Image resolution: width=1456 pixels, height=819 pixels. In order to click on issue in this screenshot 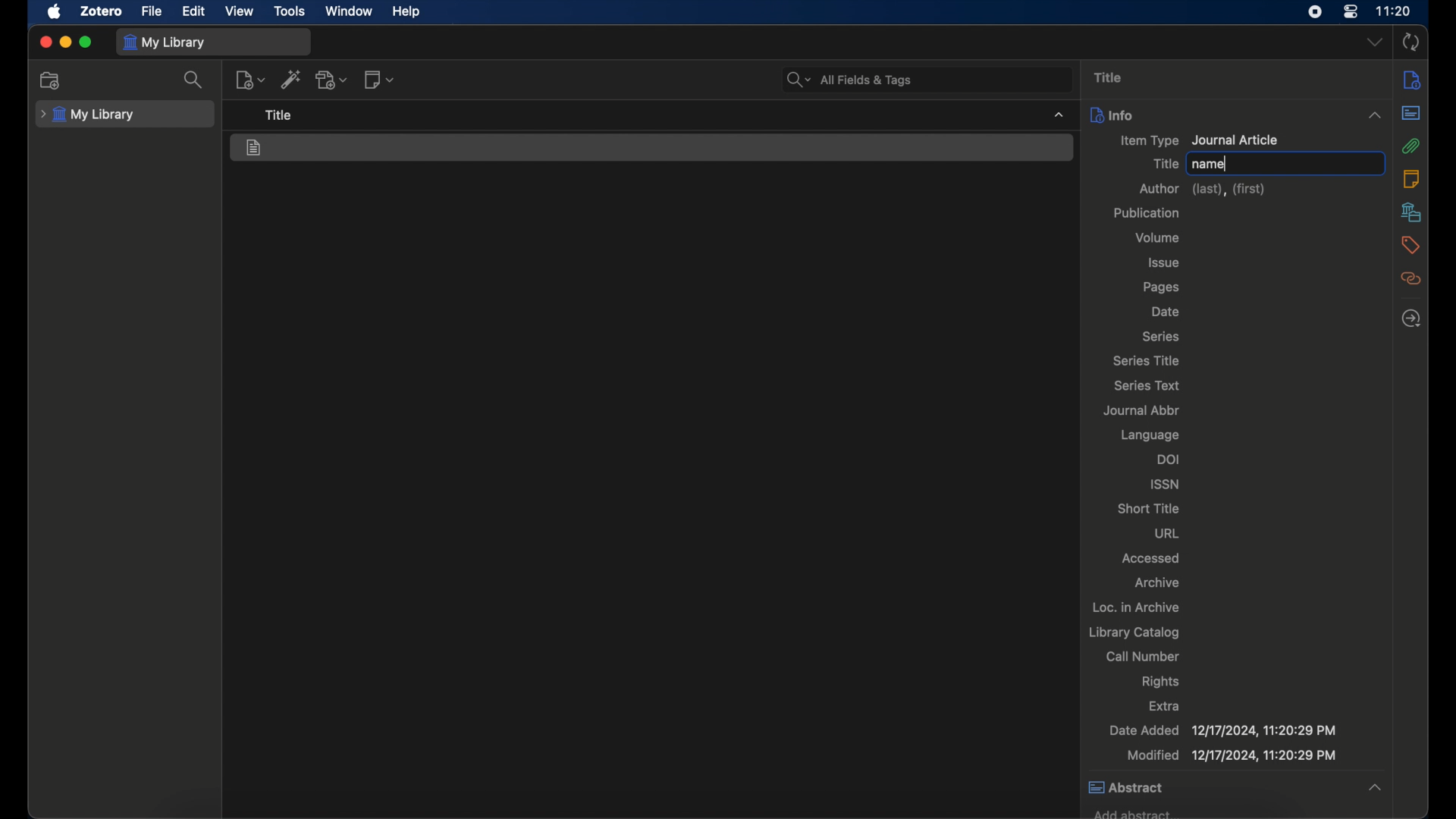, I will do `click(1165, 263)`.